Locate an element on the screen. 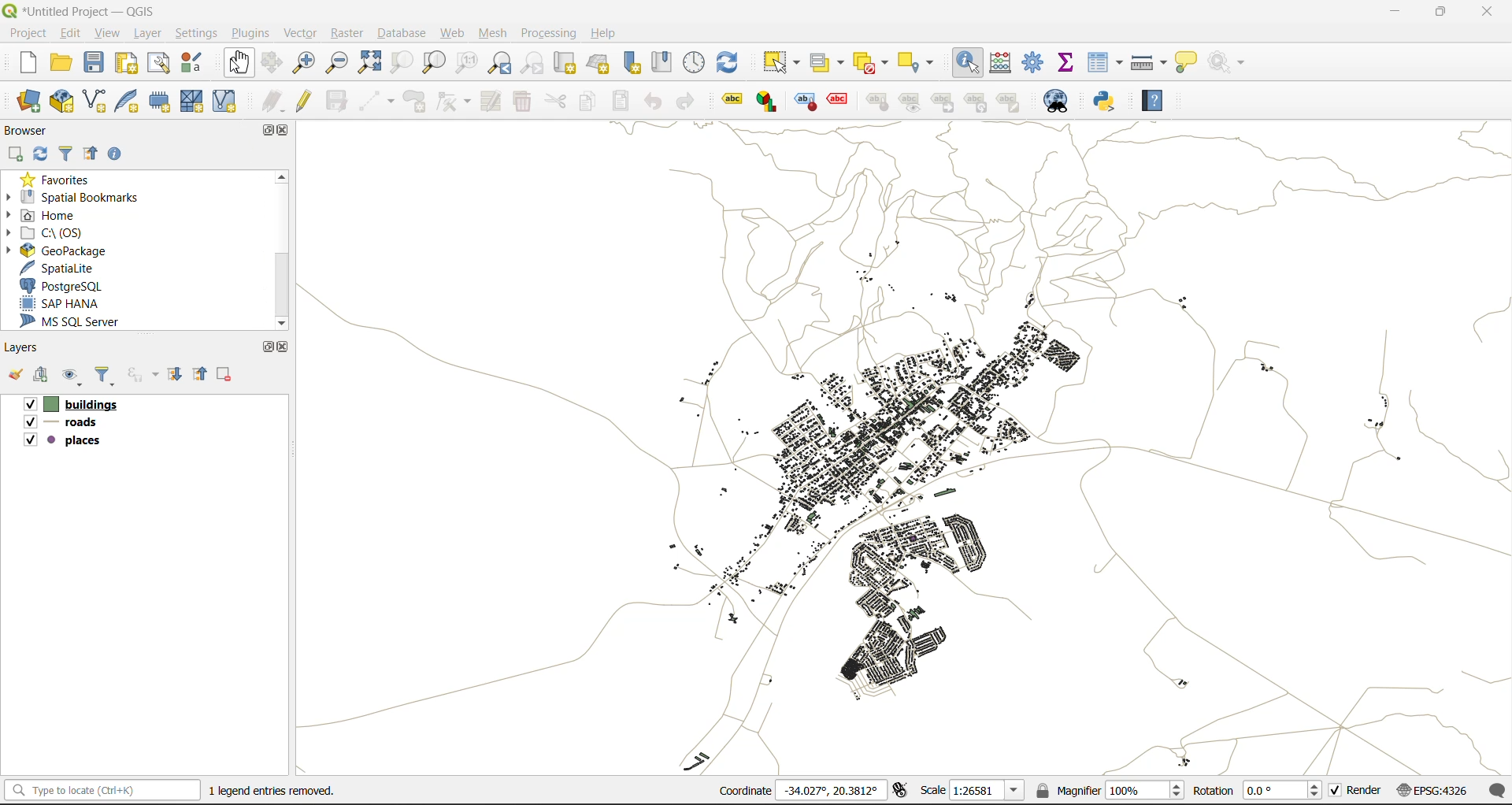 Image resolution: width=1512 pixels, height=805 pixels. copy is located at coordinates (587, 102).